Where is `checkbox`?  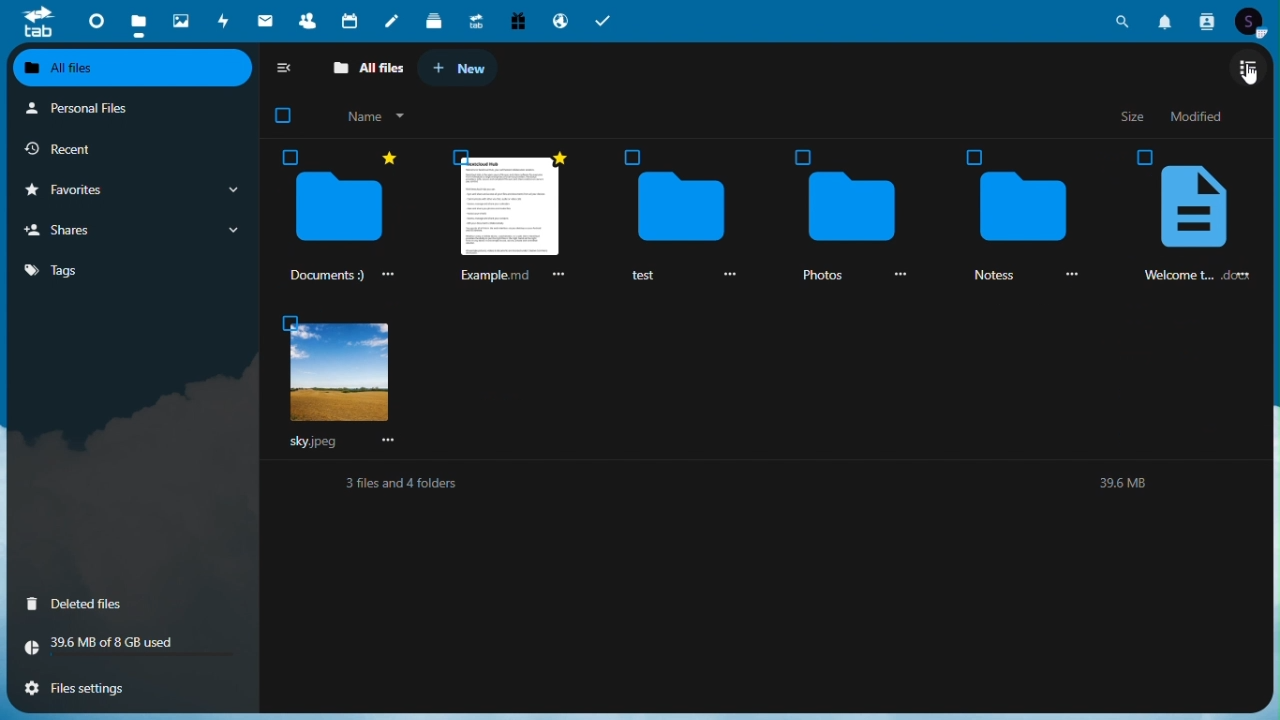 checkbox is located at coordinates (801, 157).